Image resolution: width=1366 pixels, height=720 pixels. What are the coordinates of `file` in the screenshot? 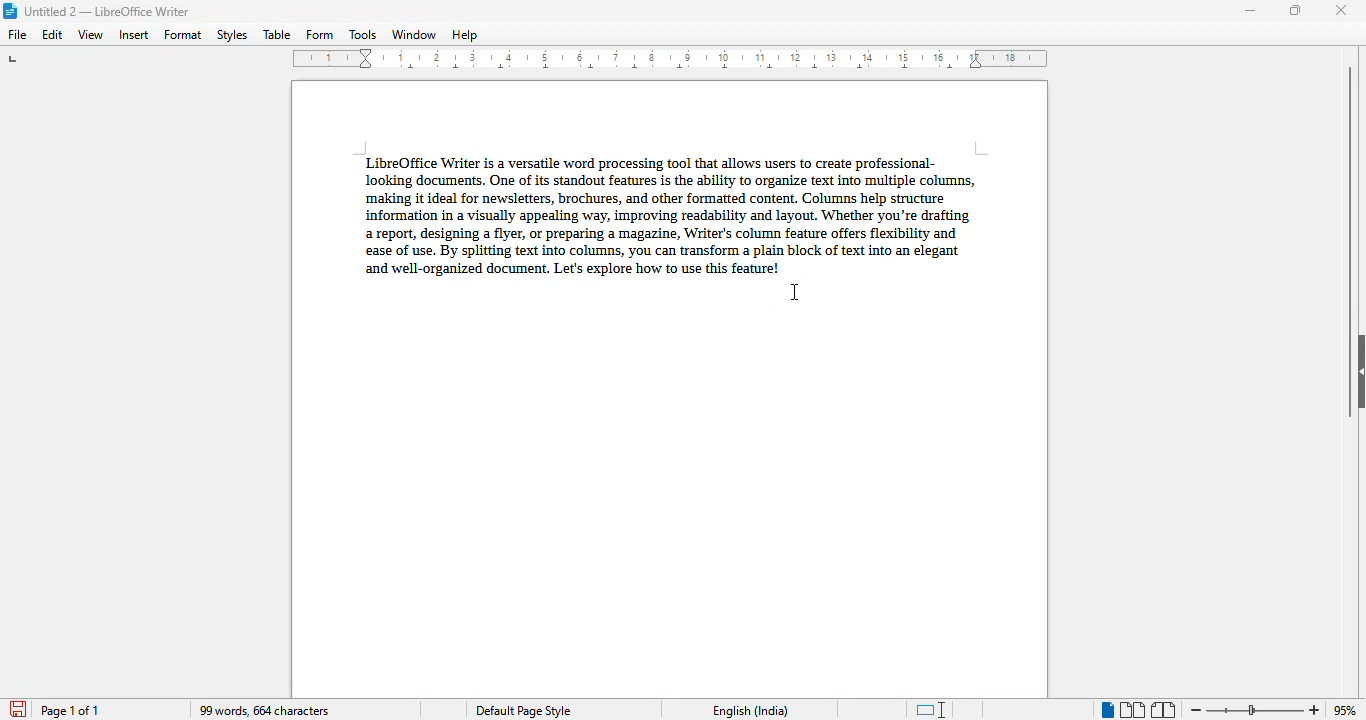 It's located at (18, 34).